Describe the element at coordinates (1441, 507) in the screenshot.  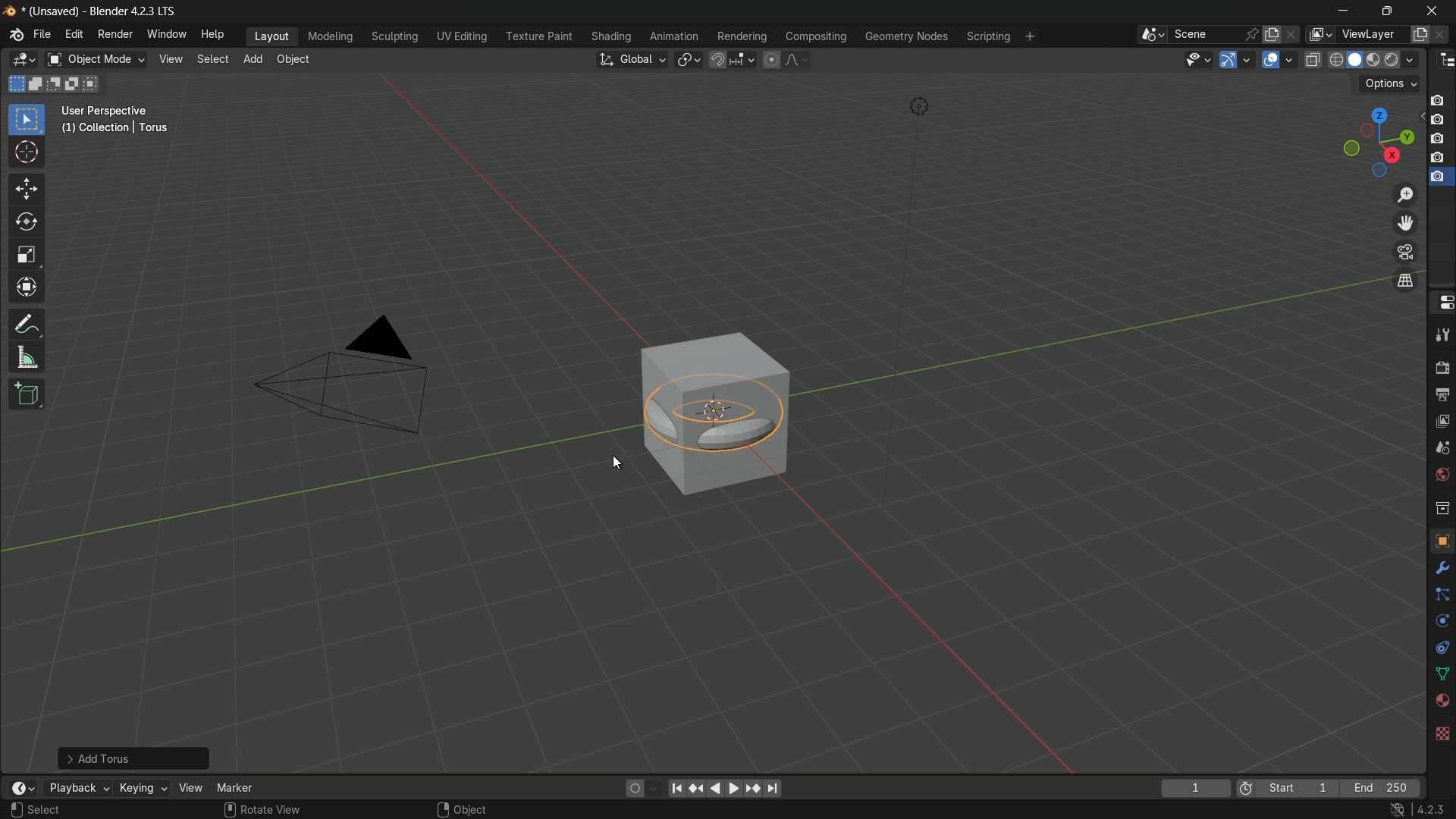
I see `collection` at that location.